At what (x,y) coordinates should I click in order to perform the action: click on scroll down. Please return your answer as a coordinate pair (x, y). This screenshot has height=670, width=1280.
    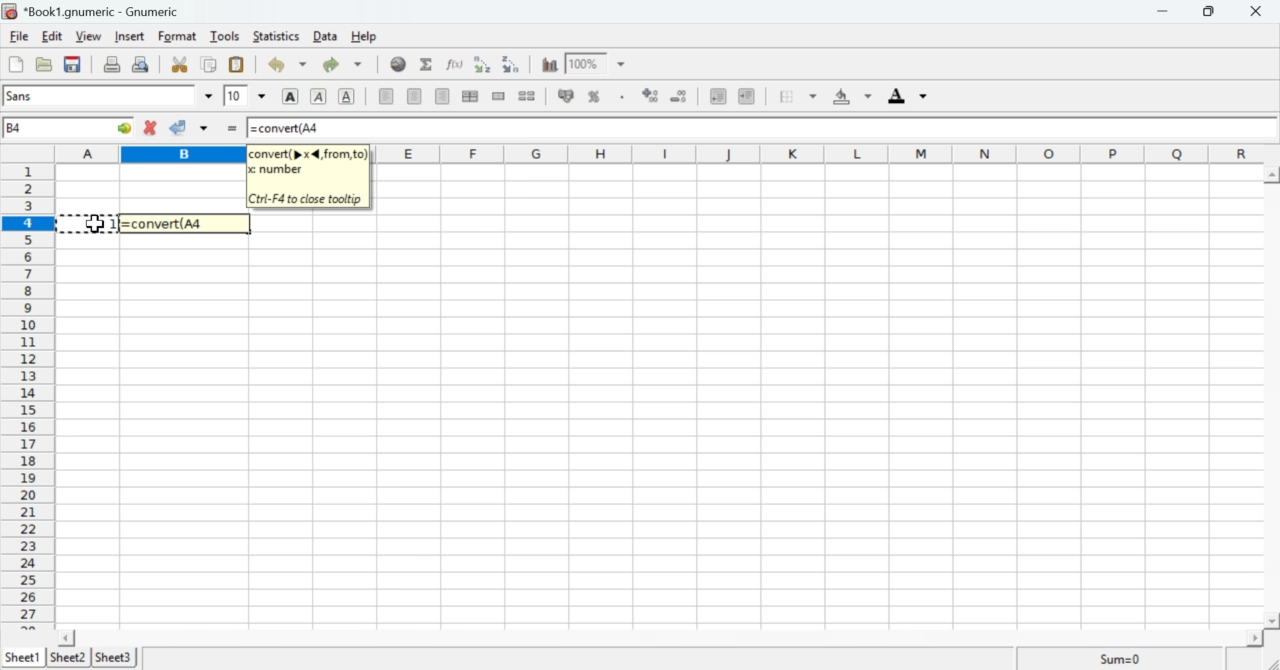
    Looking at the image, I should click on (1272, 621).